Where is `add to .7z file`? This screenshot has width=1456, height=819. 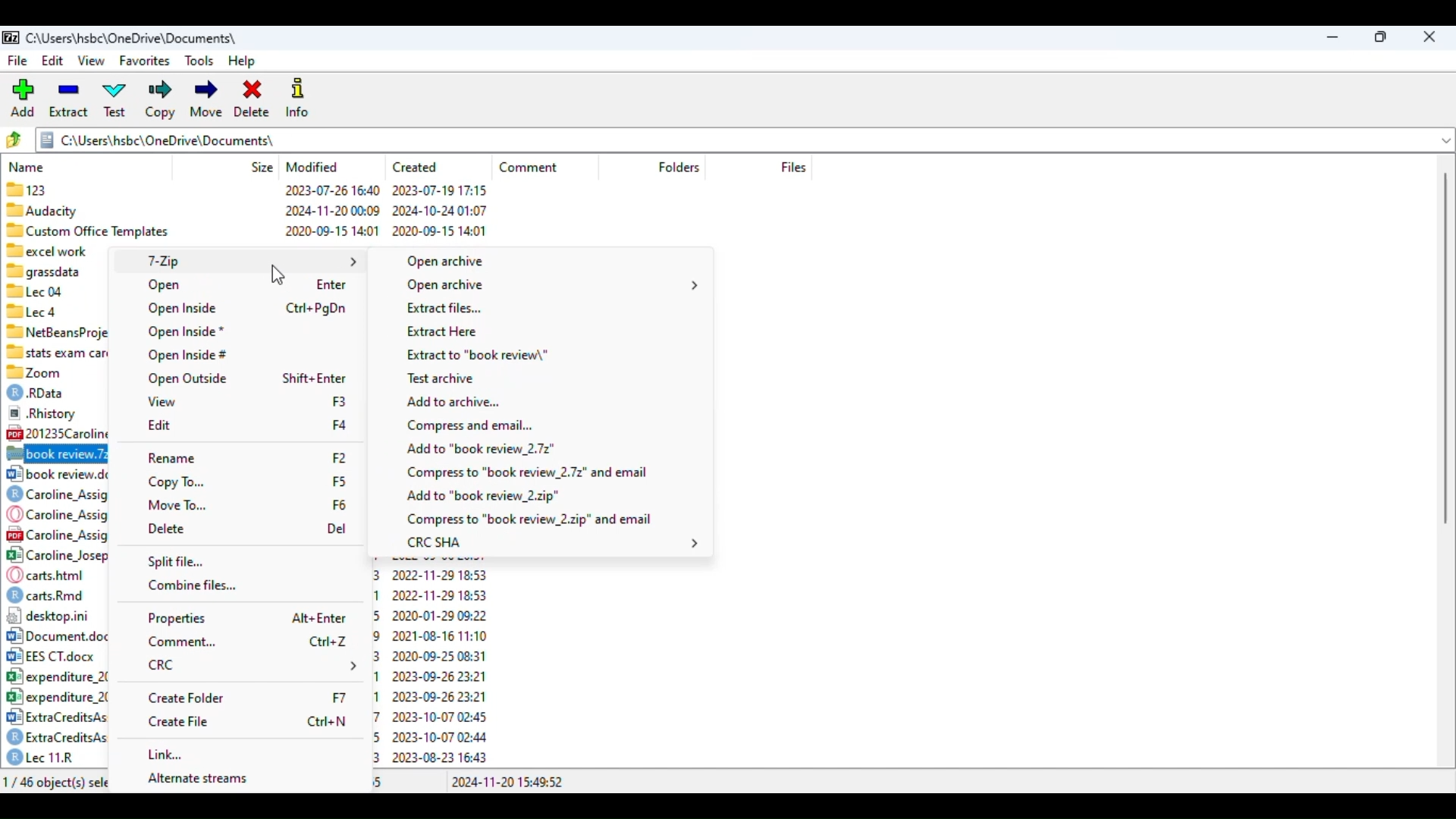
add to .7z file is located at coordinates (482, 449).